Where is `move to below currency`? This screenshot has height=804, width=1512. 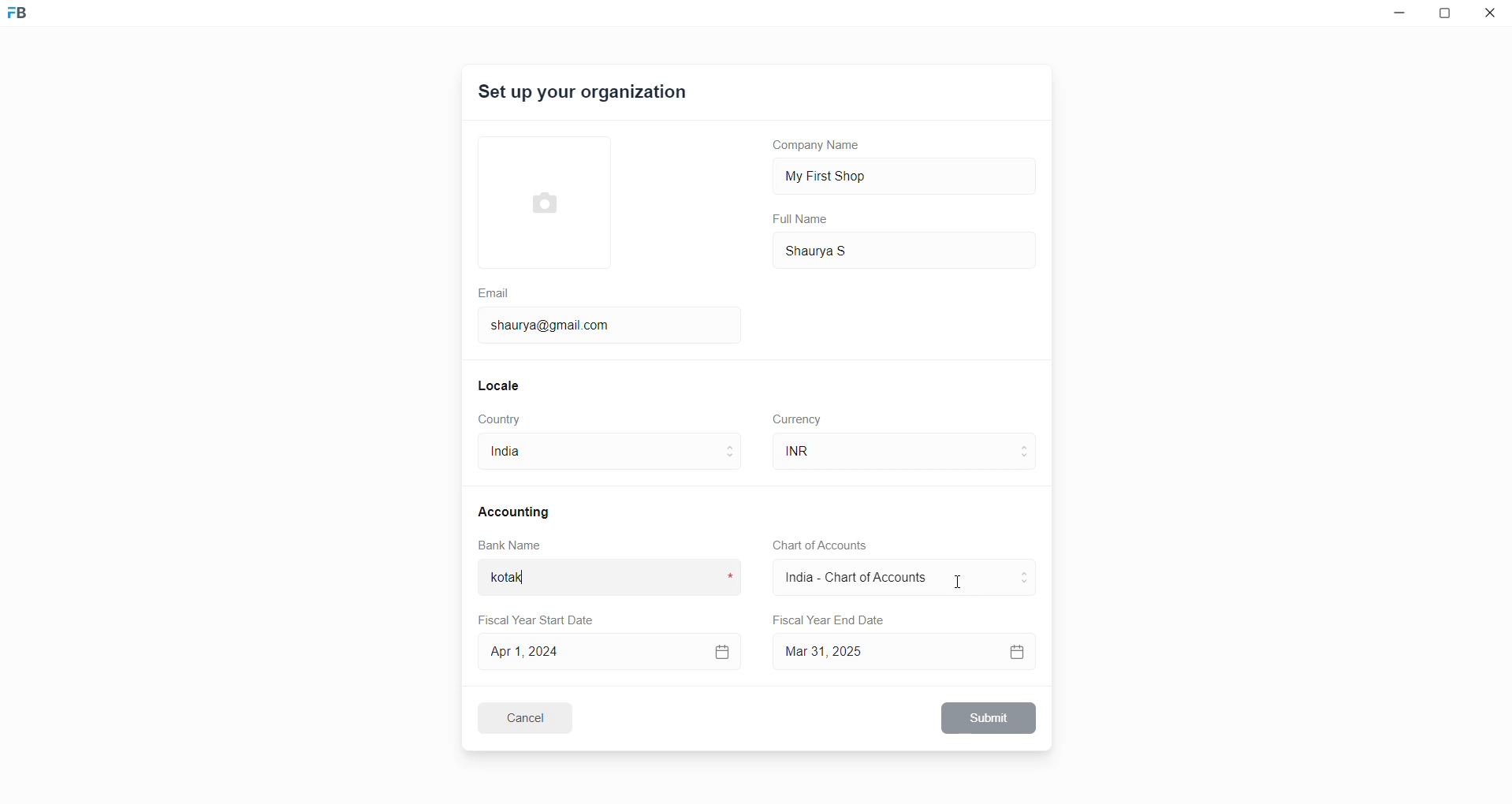 move to below currency is located at coordinates (1028, 460).